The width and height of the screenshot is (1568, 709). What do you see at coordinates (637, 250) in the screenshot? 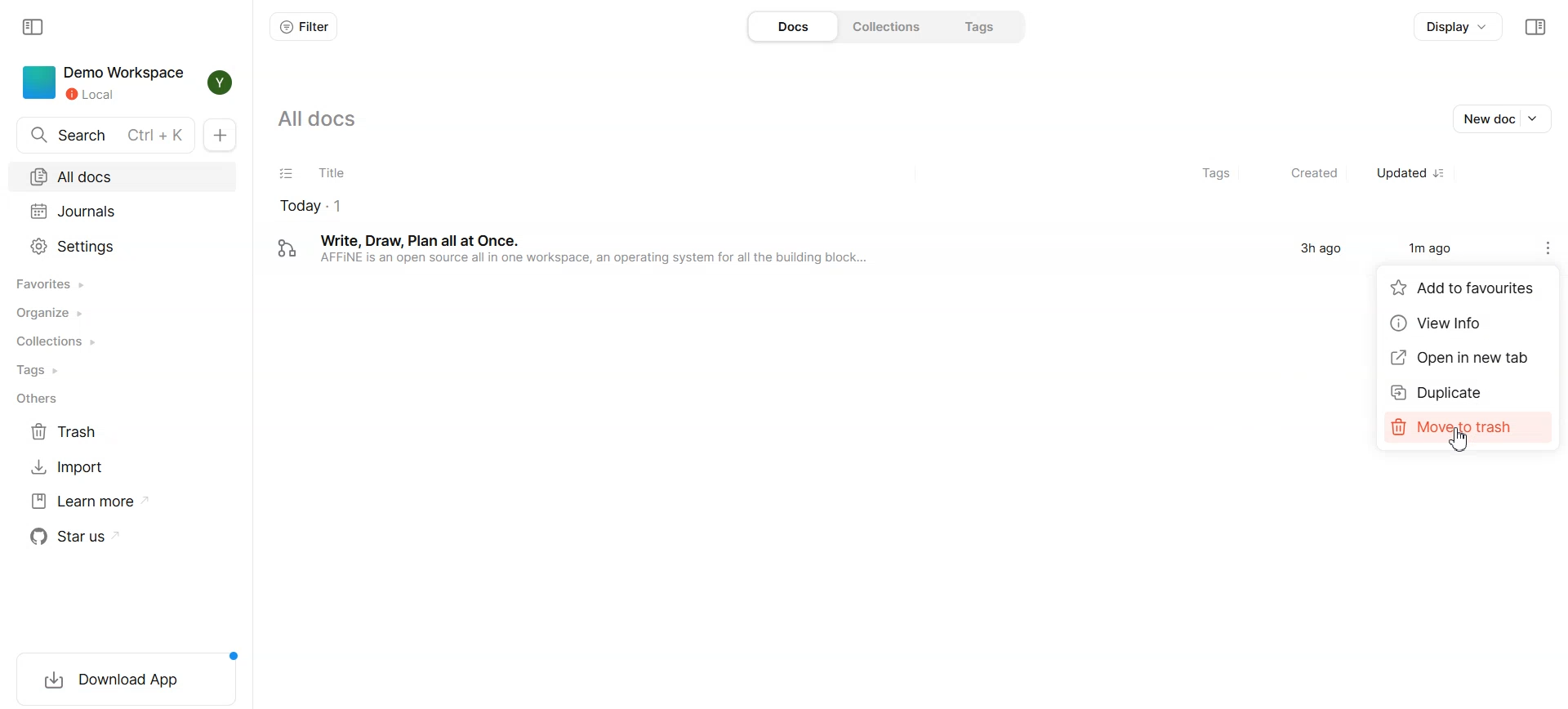
I see `‘Write, Draw, Plan all at Once.
AFFINE is an open source all in one workspace, an operating system for all the building block.` at bounding box center [637, 250].